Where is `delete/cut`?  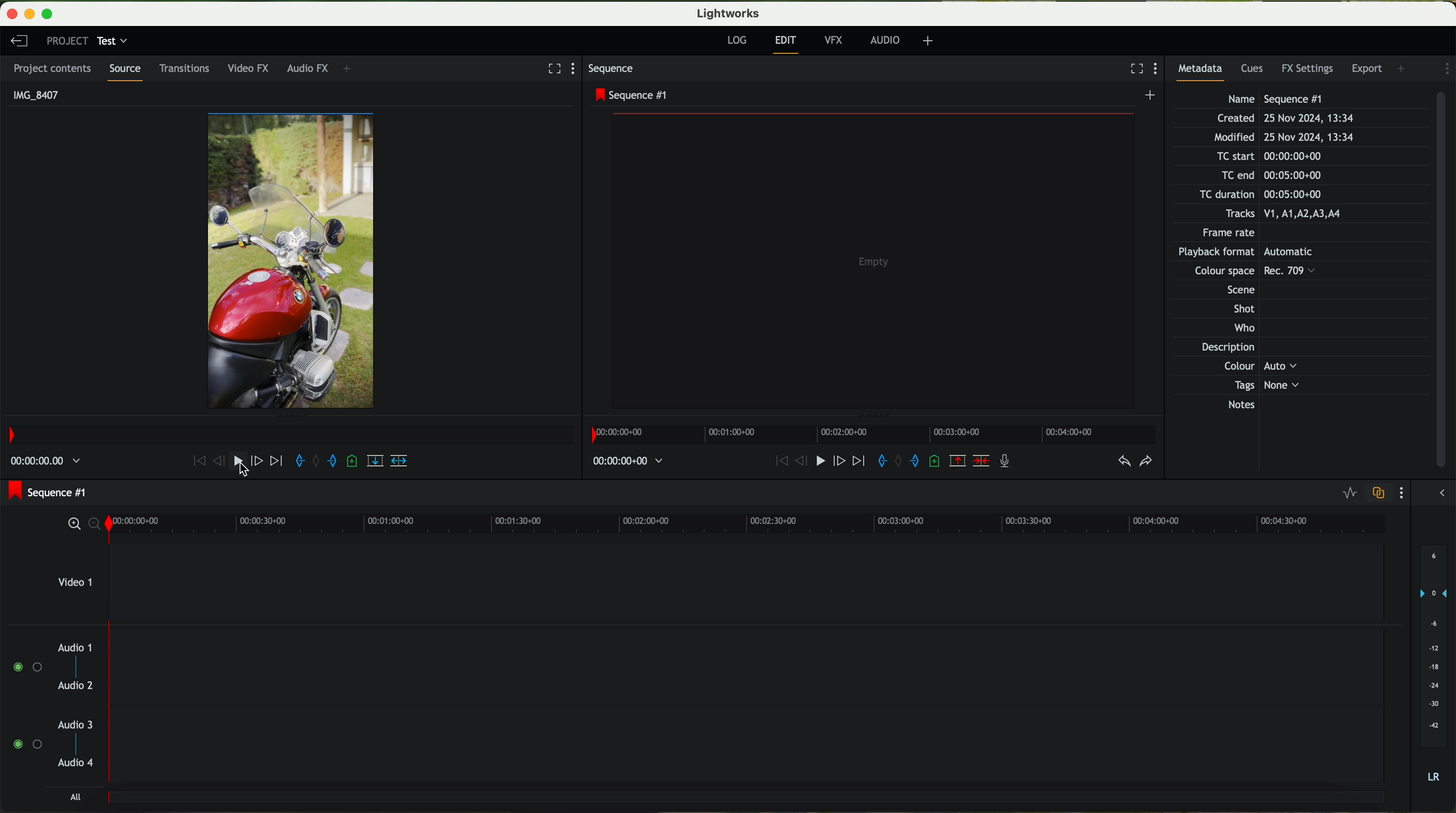 delete/cut is located at coordinates (981, 461).